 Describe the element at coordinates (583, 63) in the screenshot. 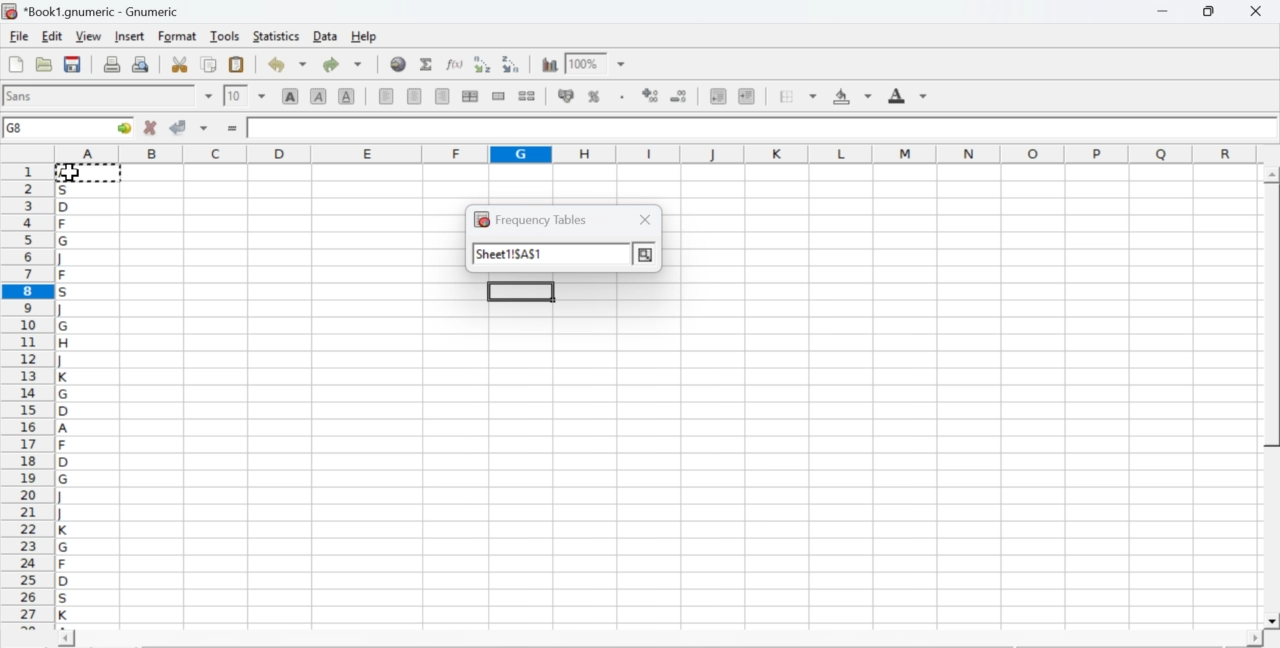

I see `100%` at that location.